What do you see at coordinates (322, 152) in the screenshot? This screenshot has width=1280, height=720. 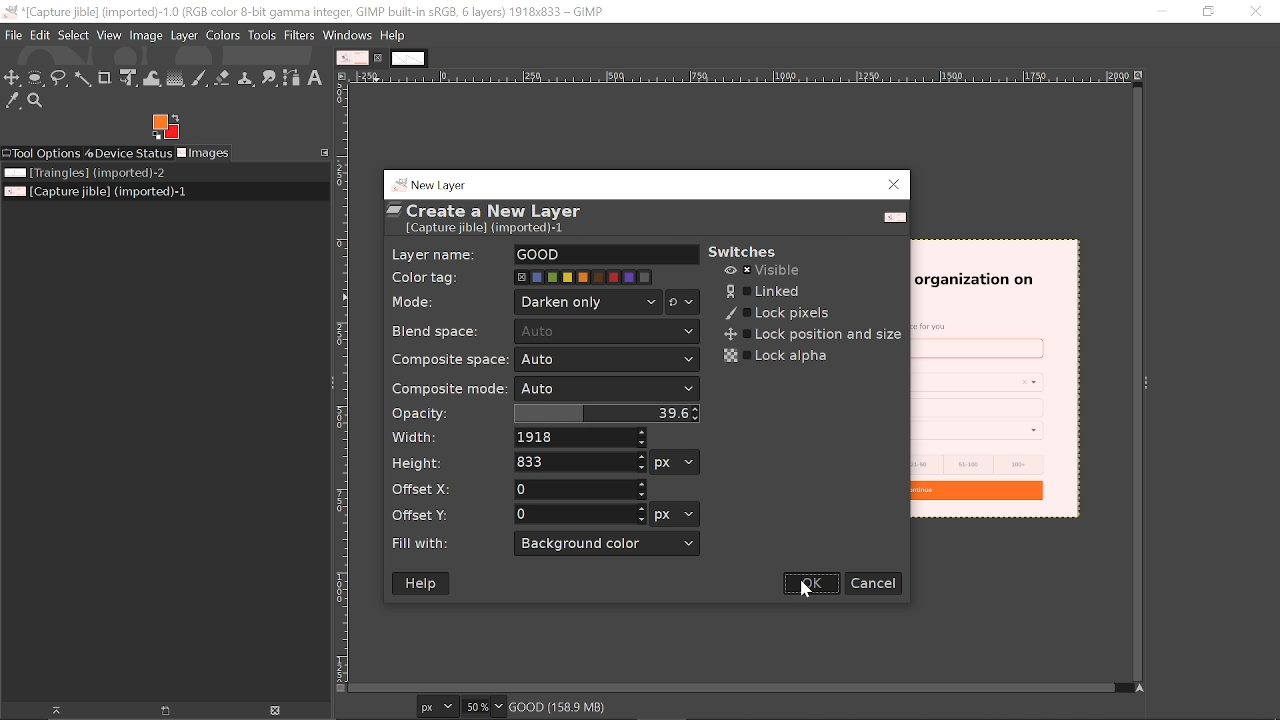 I see `Configure this tab` at bounding box center [322, 152].